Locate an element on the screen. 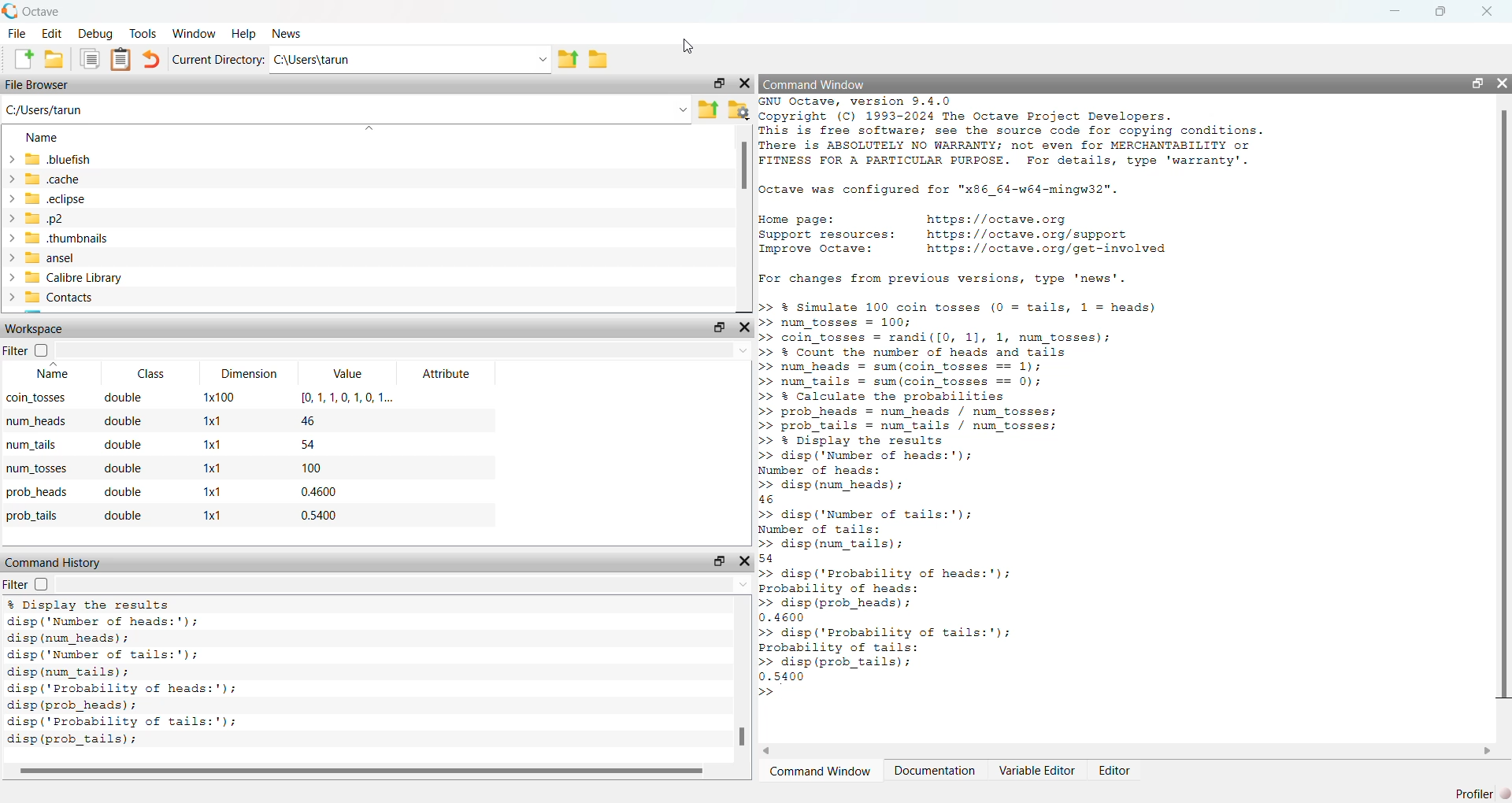 This screenshot has height=803, width=1512. 1x1 is located at coordinates (212, 515).